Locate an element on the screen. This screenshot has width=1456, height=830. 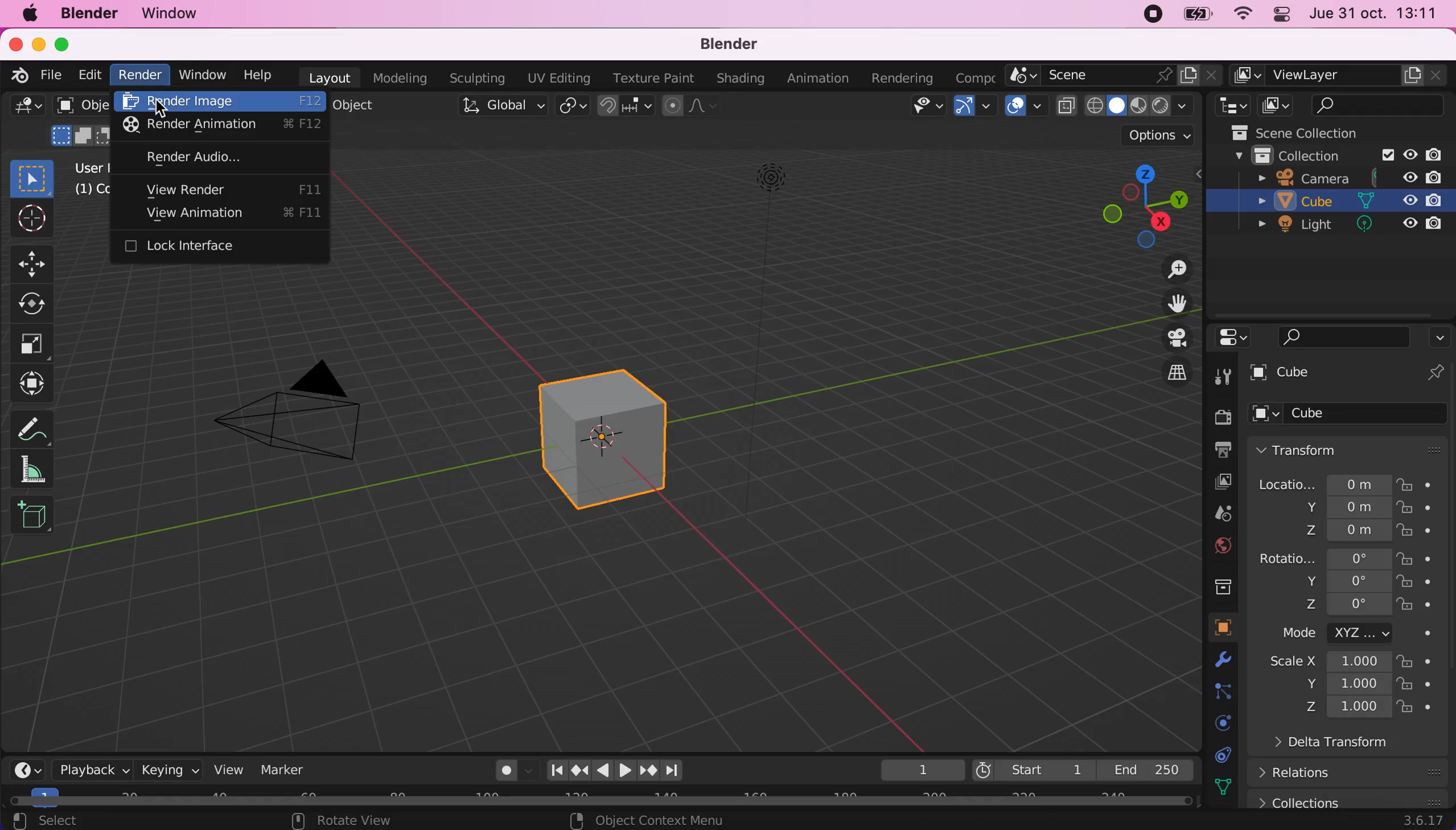
Jump to last is located at coordinates (674, 766).